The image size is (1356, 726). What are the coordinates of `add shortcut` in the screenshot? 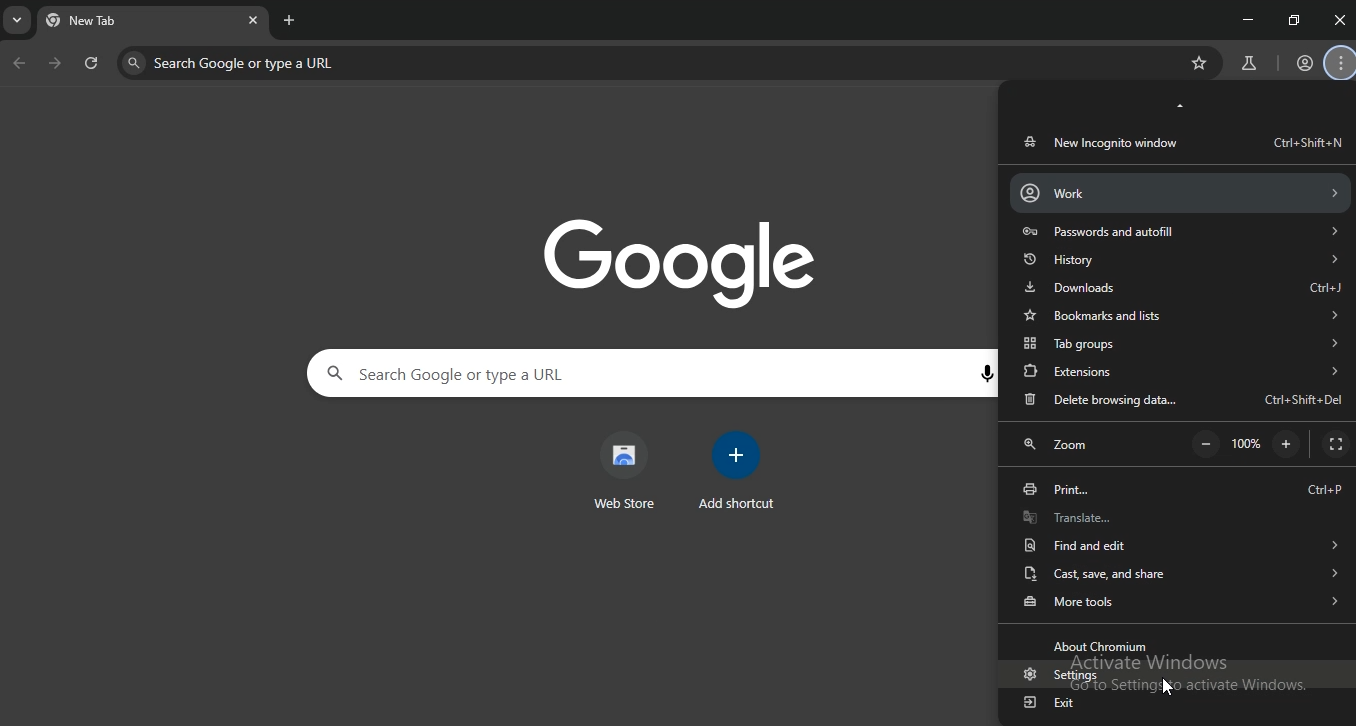 It's located at (740, 471).